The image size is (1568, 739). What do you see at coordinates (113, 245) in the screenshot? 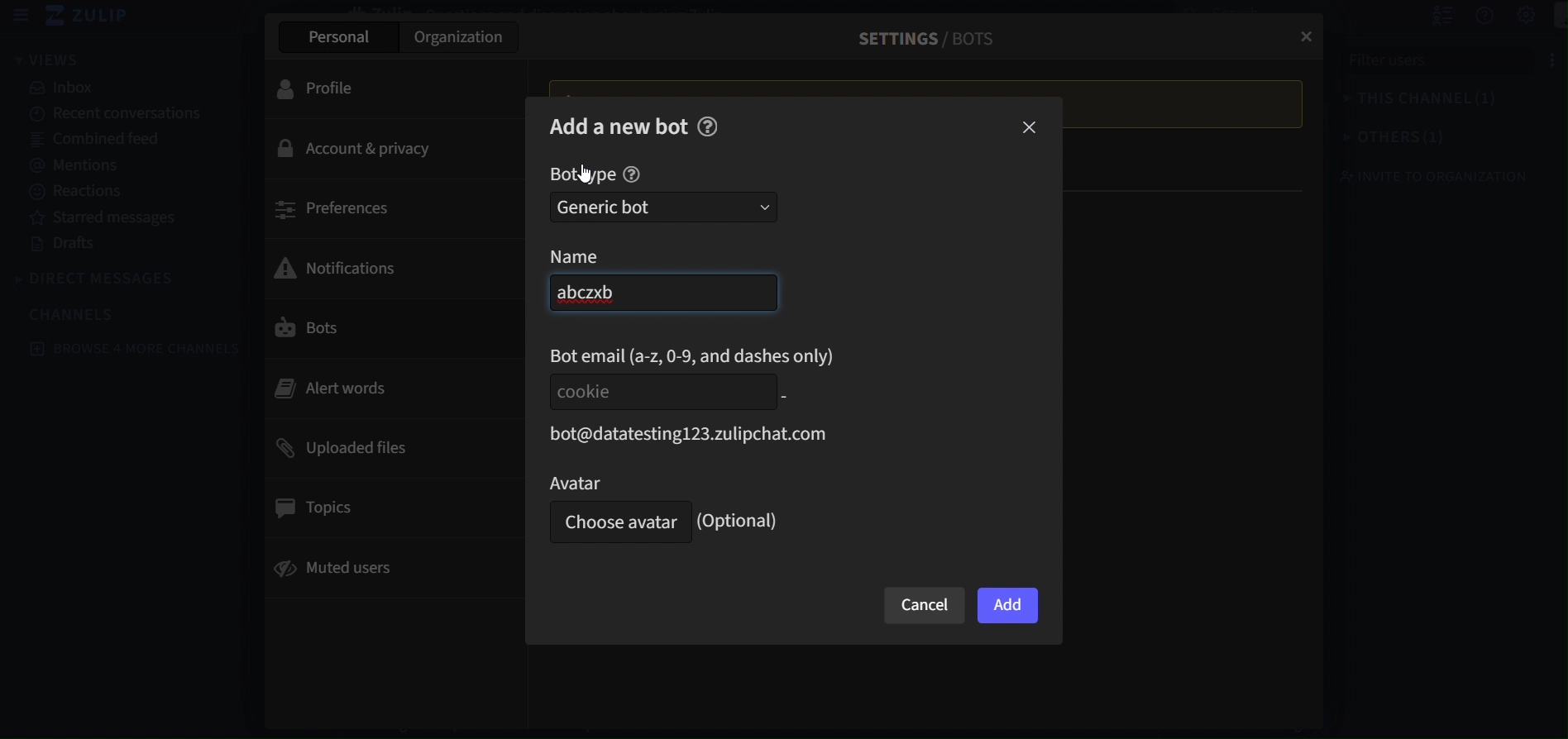
I see `drafts` at bounding box center [113, 245].